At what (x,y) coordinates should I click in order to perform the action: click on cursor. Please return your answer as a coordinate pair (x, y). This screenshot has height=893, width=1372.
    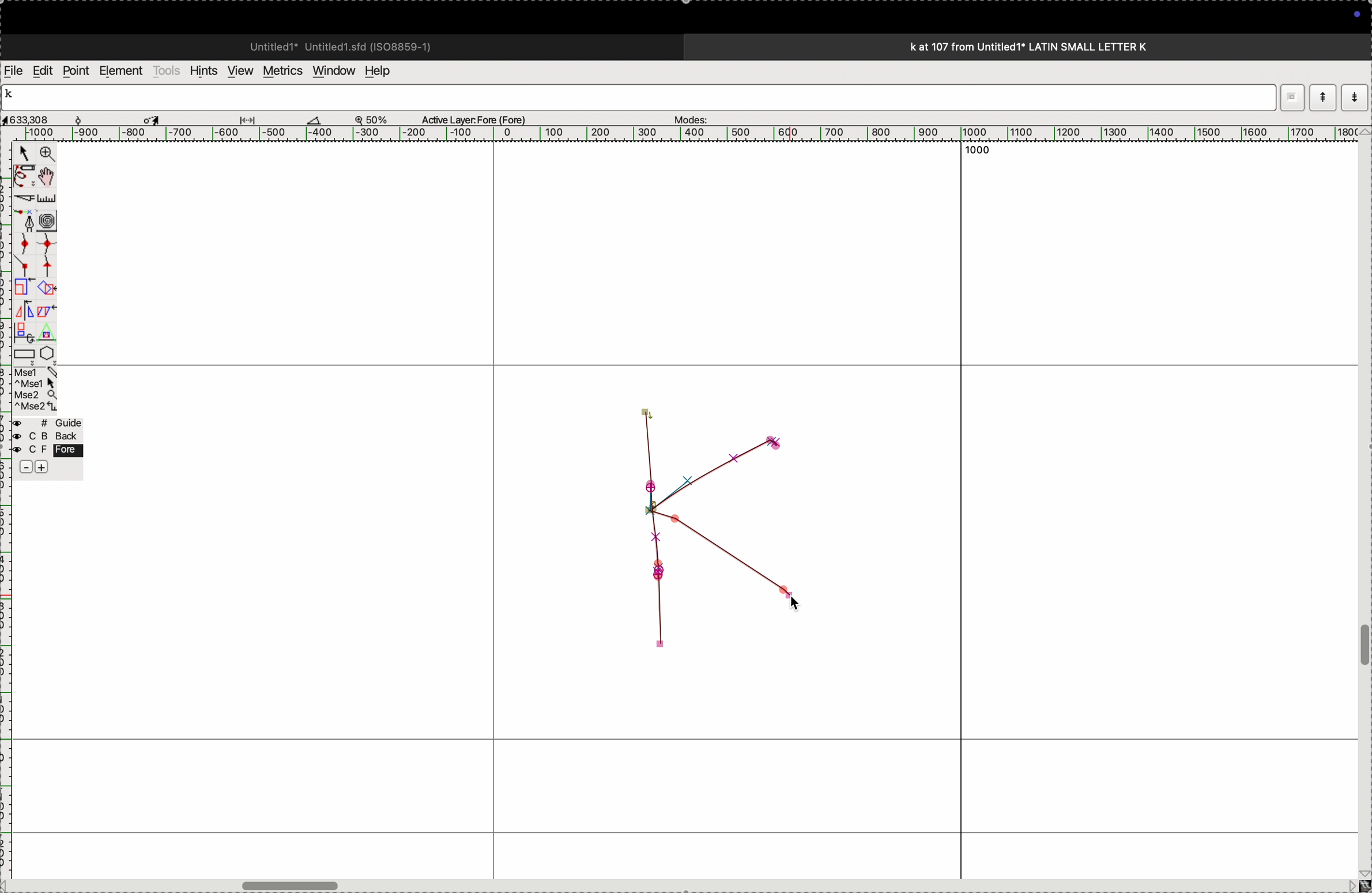
    Looking at the image, I should click on (154, 118).